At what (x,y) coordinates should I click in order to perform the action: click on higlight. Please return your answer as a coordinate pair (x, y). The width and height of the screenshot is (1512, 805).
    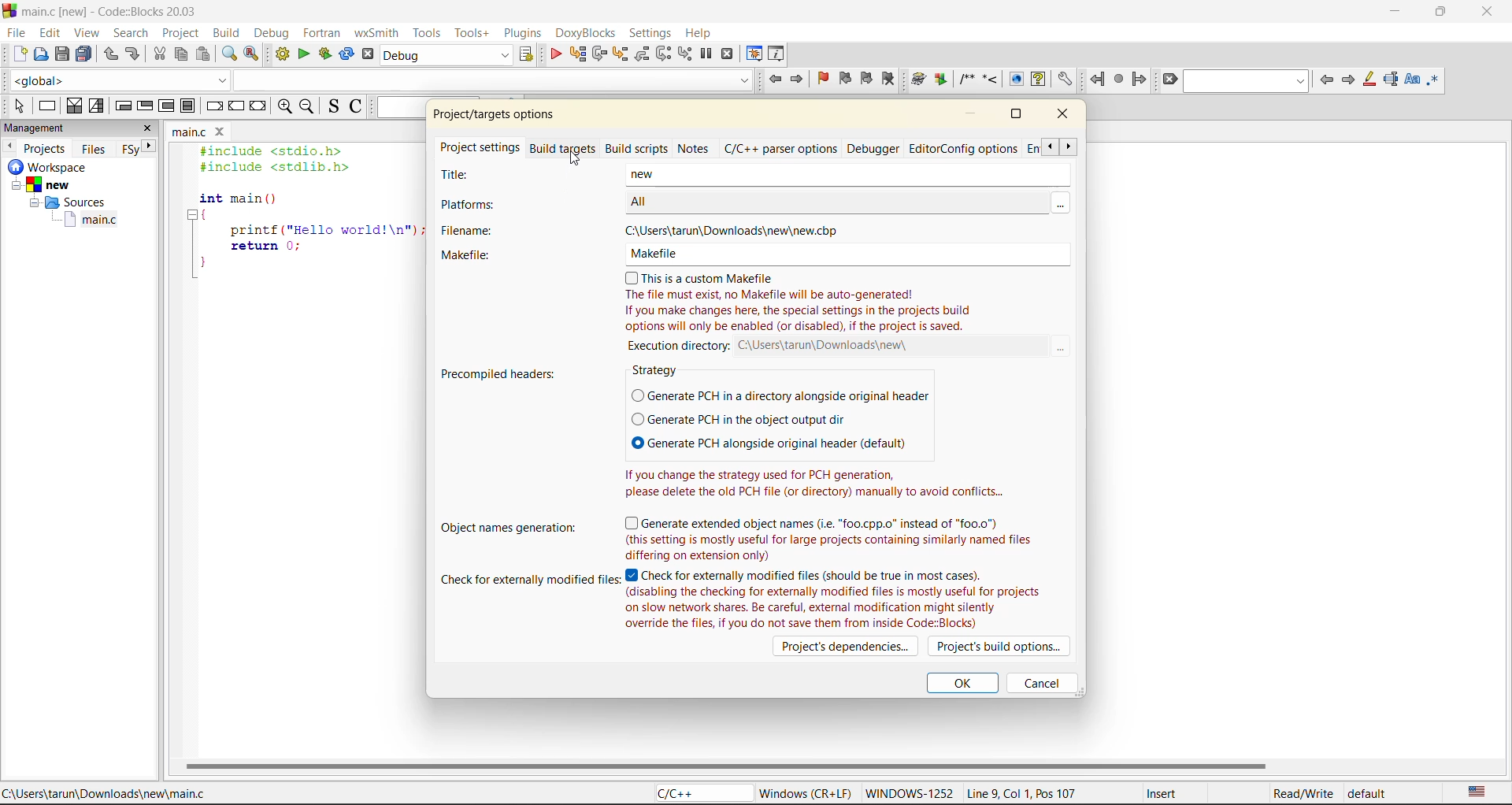
    Looking at the image, I should click on (1370, 80).